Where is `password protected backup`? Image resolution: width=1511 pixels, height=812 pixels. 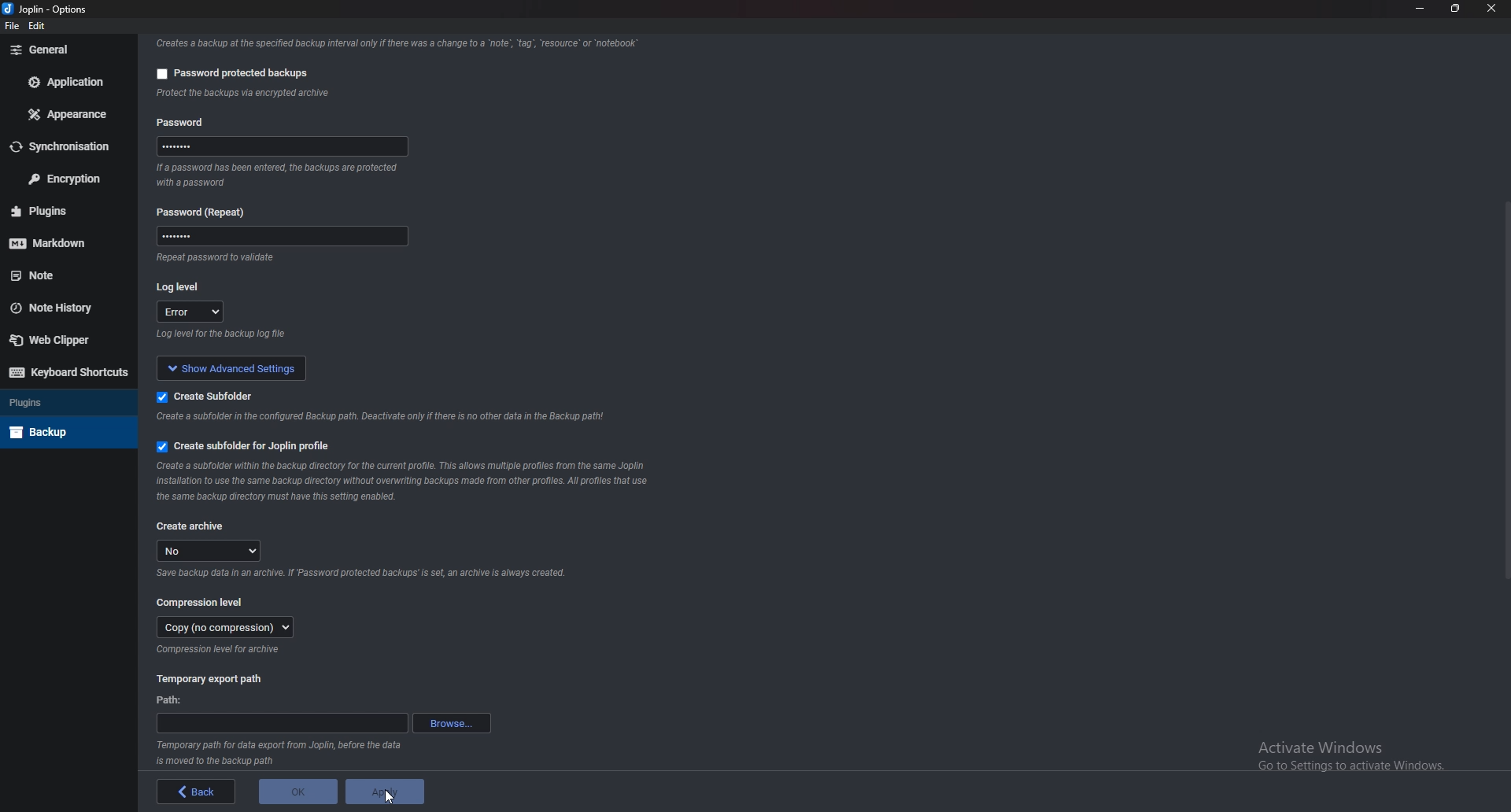
password protected backup is located at coordinates (228, 71).